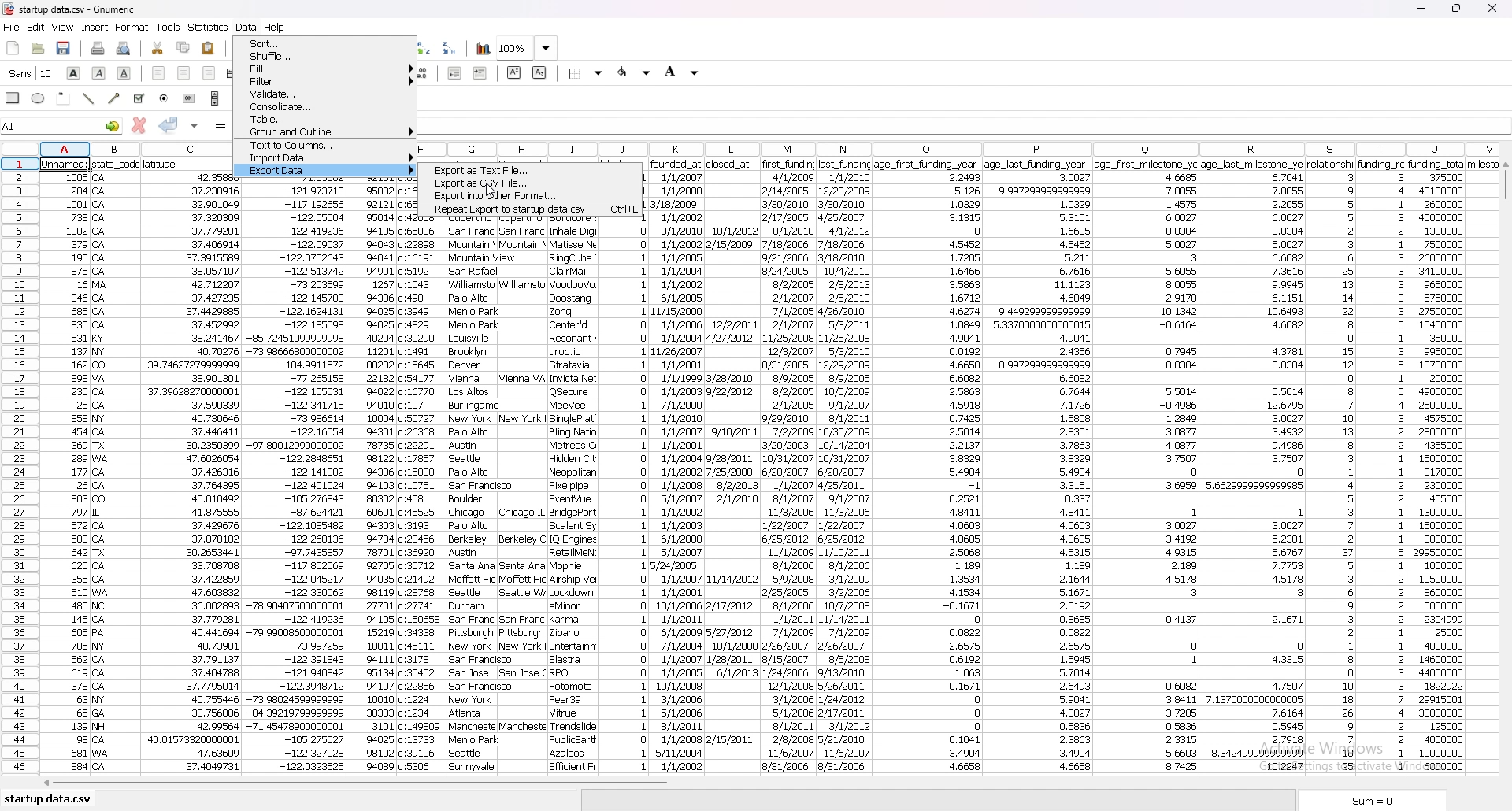 The height and width of the screenshot is (811, 1512). What do you see at coordinates (125, 73) in the screenshot?
I see `underline` at bounding box center [125, 73].